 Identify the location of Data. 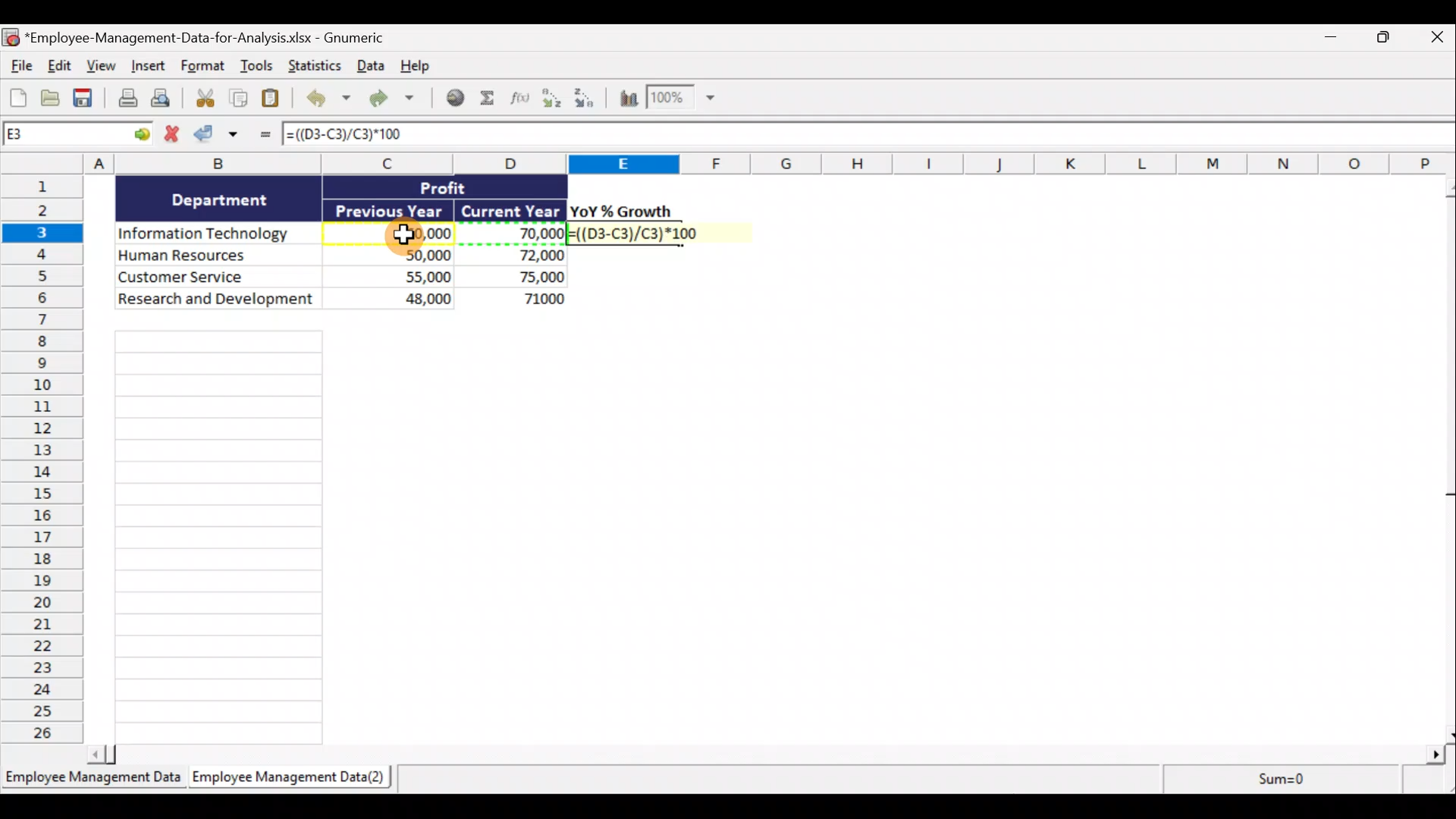
(368, 67).